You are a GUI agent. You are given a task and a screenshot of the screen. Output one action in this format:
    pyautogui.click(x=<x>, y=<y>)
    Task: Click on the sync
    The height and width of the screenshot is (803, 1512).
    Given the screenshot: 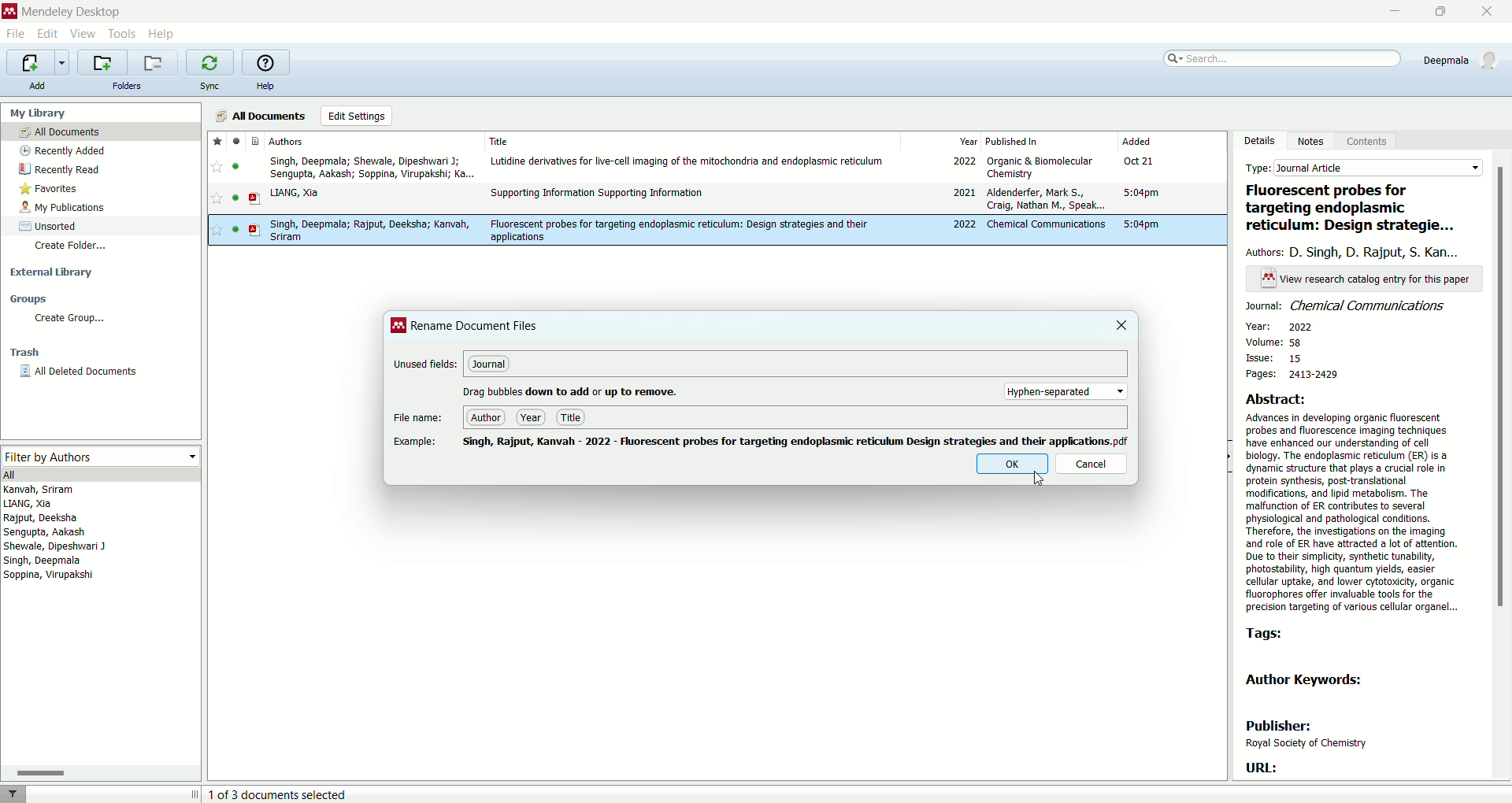 What is the action you would take?
    pyautogui.click(x=212, y=84)
    